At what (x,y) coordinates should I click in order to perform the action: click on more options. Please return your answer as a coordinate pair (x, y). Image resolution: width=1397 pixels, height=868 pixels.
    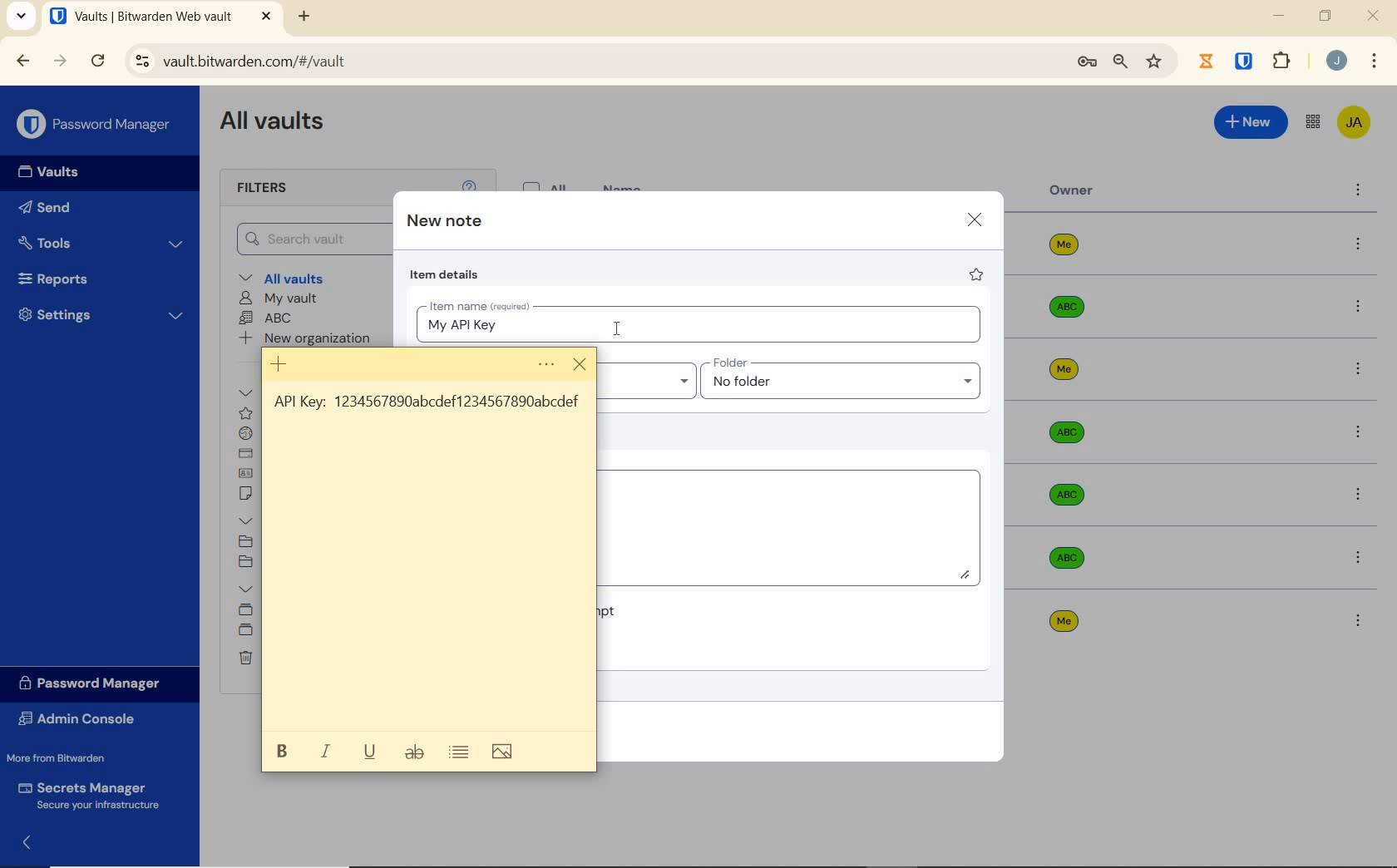
    Looking at the image, I should click on (1357, 432).